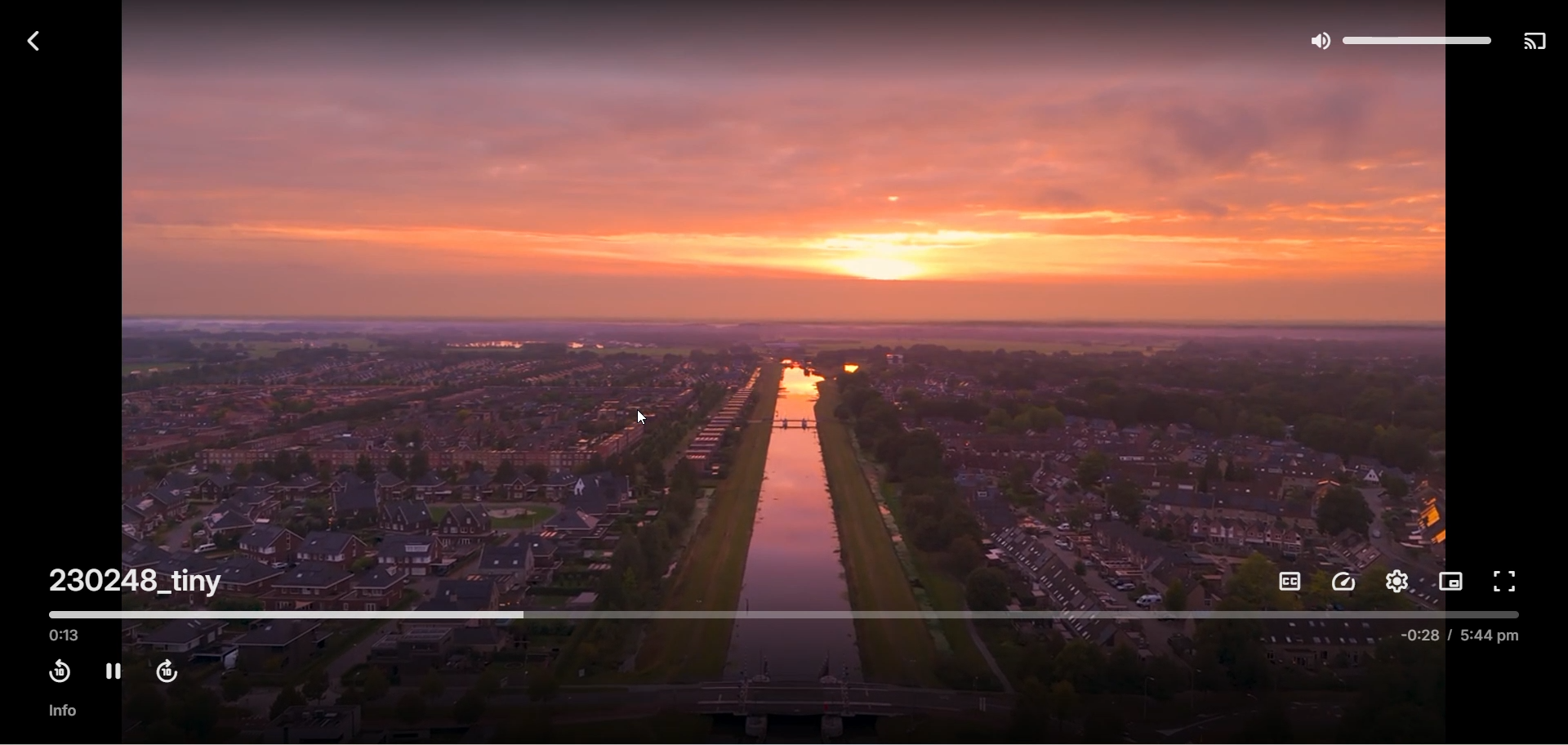 This screenshot has width=1568, height=745. Describe the element at coordinates (791, 312) in the screenshot. I see `video` at that location.